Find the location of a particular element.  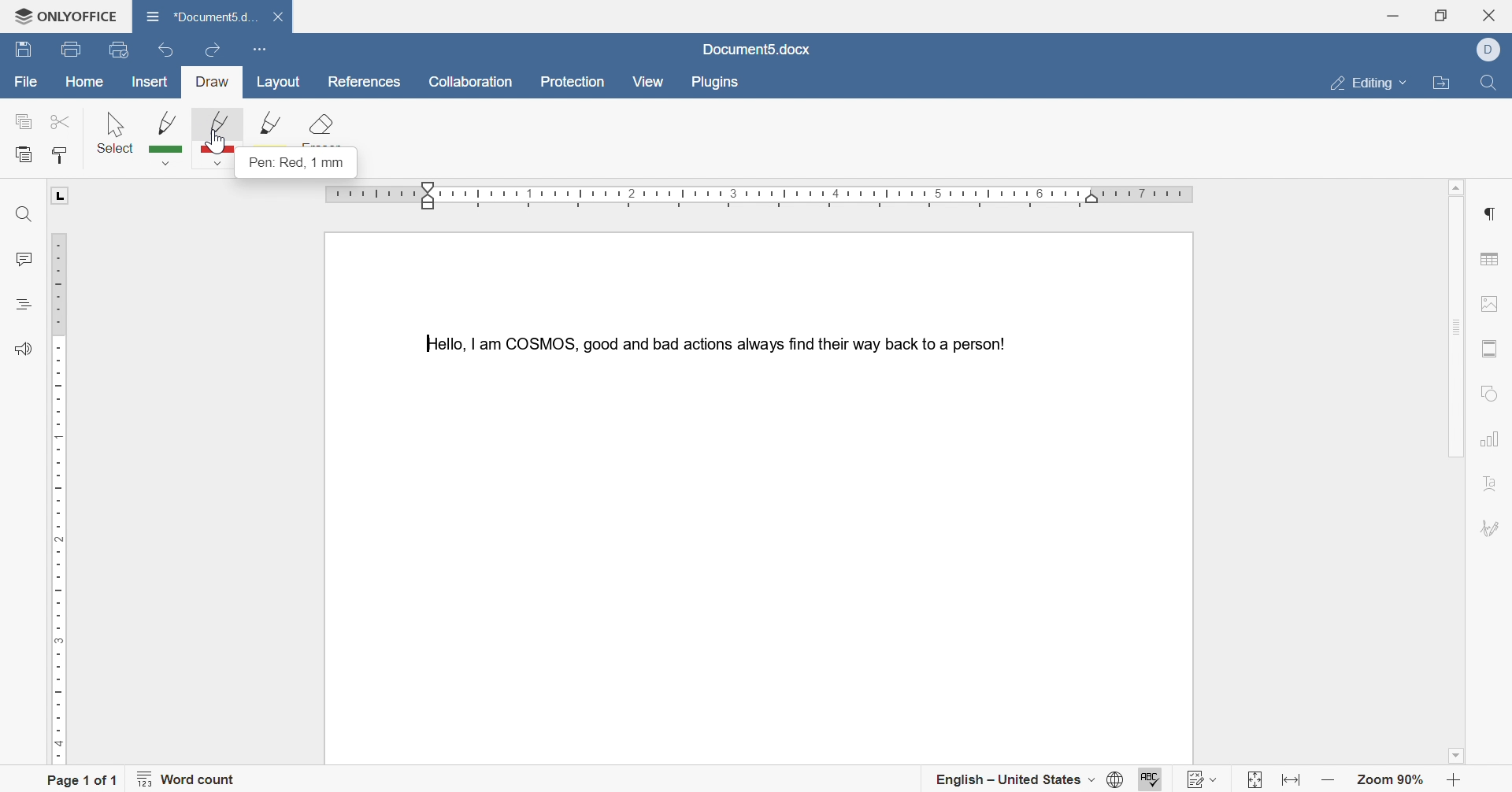

scroll bar is located at coordinates (1455, 324).